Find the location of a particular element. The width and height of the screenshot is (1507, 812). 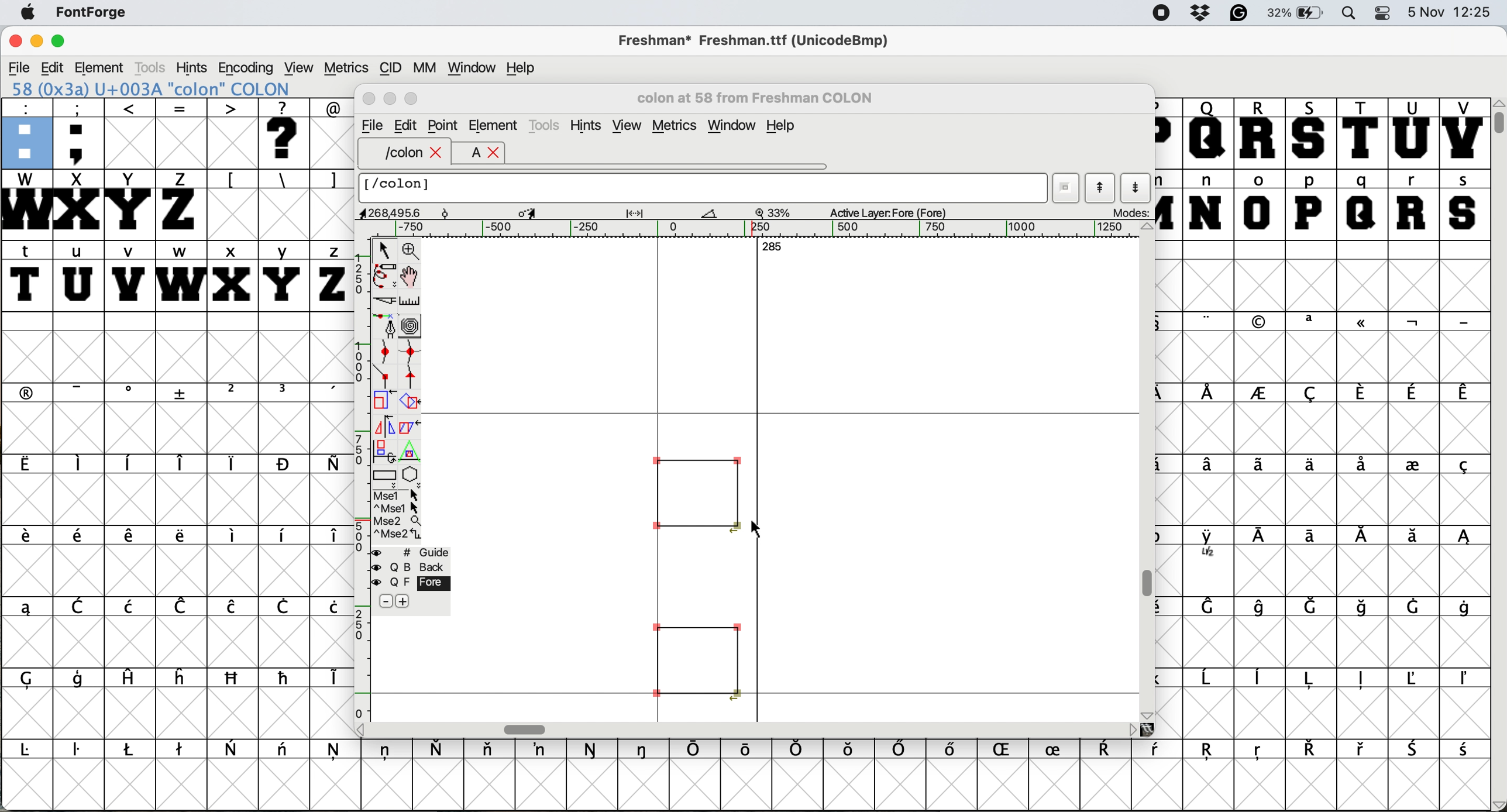

glyph details is located at coordinates (659, 214).